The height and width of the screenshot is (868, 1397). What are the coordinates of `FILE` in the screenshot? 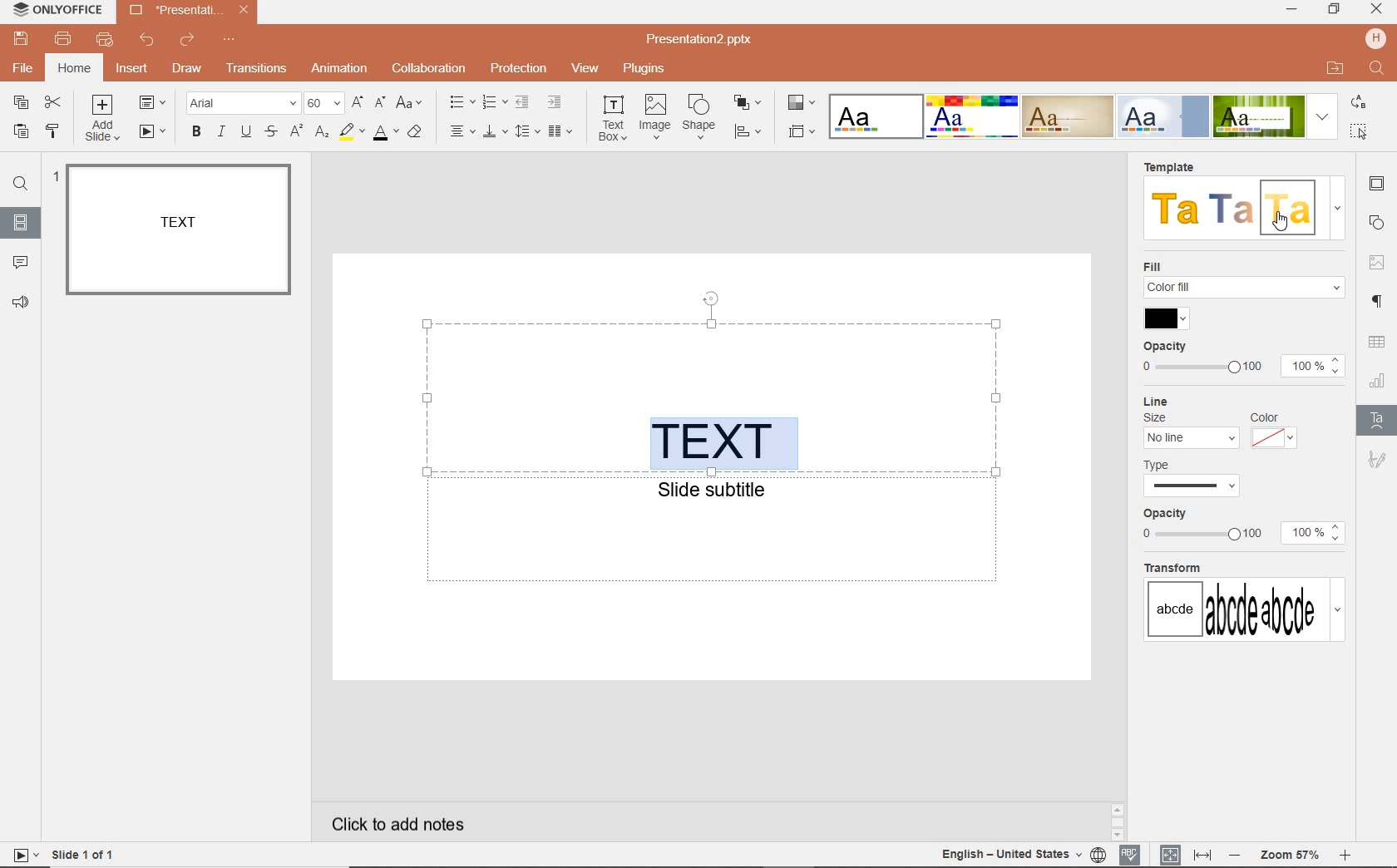 It's located at (23, 70).